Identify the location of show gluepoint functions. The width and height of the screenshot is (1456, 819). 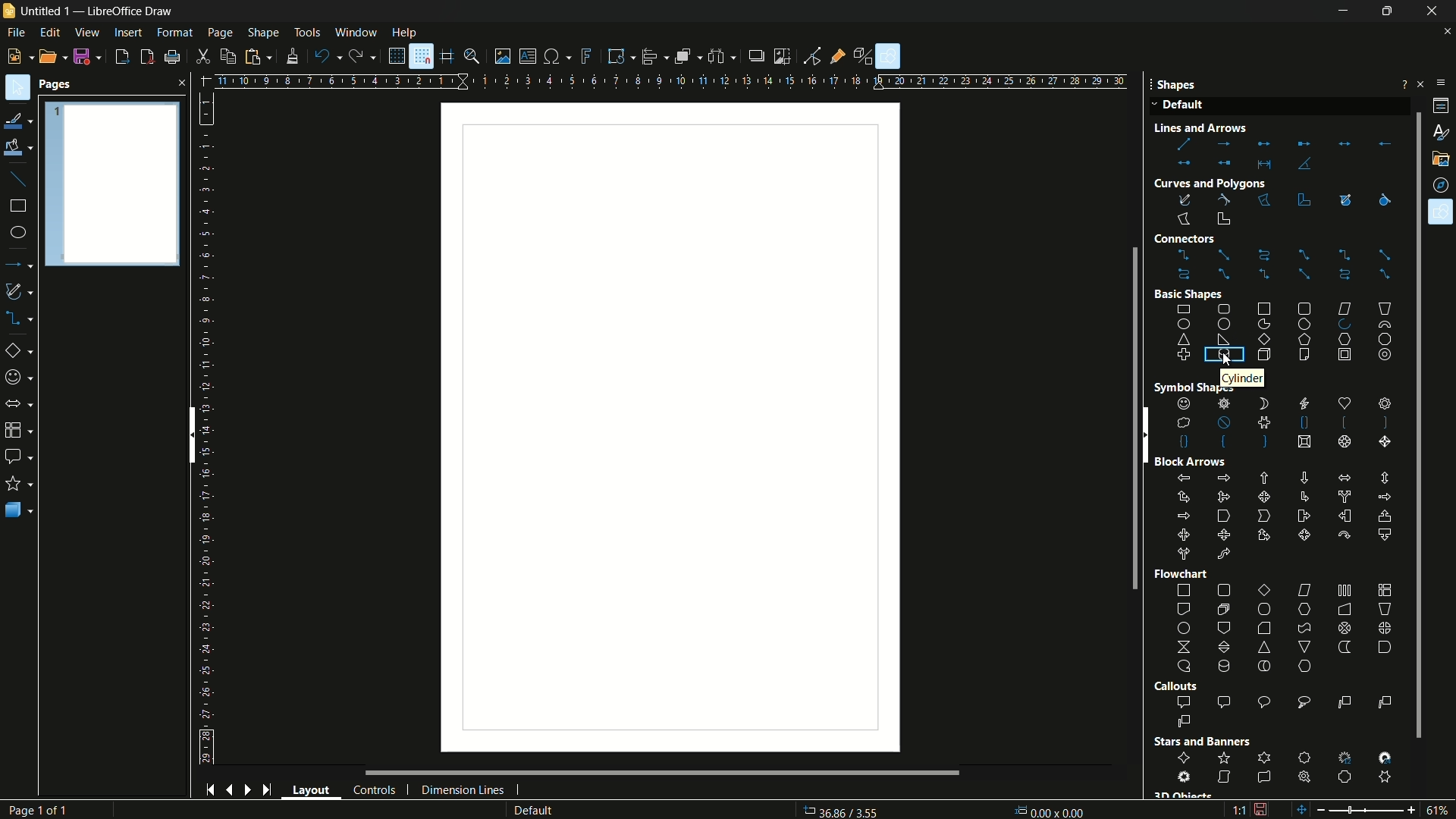
(839, 55).